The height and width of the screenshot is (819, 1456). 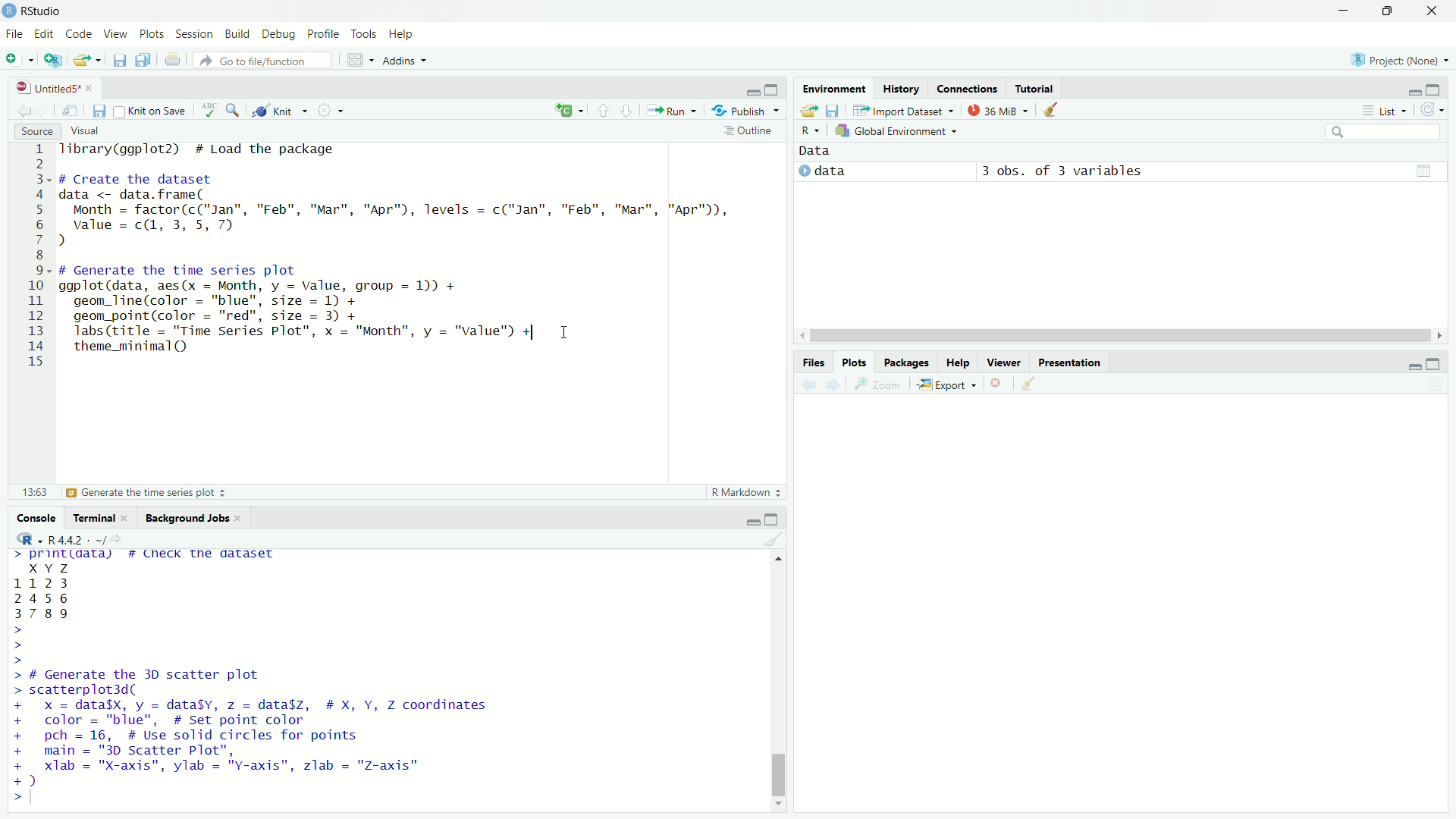 What do you see at coordinates (750, 130) in the screenshot?
I see `outline` at bounding box center [750, 130].